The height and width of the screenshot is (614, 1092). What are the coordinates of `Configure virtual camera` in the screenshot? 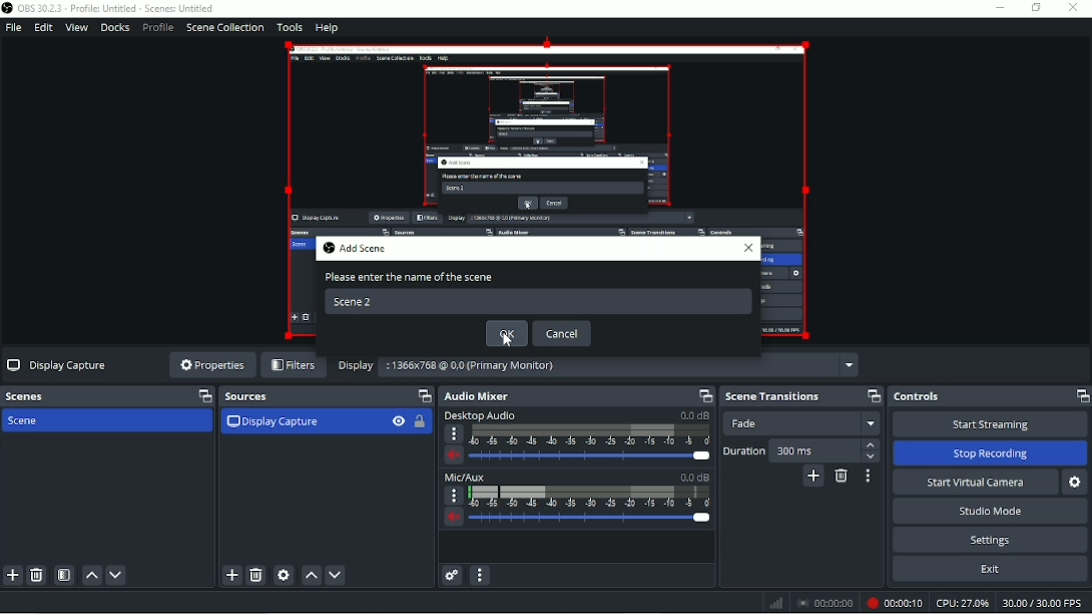 It's located at (1076, 483).